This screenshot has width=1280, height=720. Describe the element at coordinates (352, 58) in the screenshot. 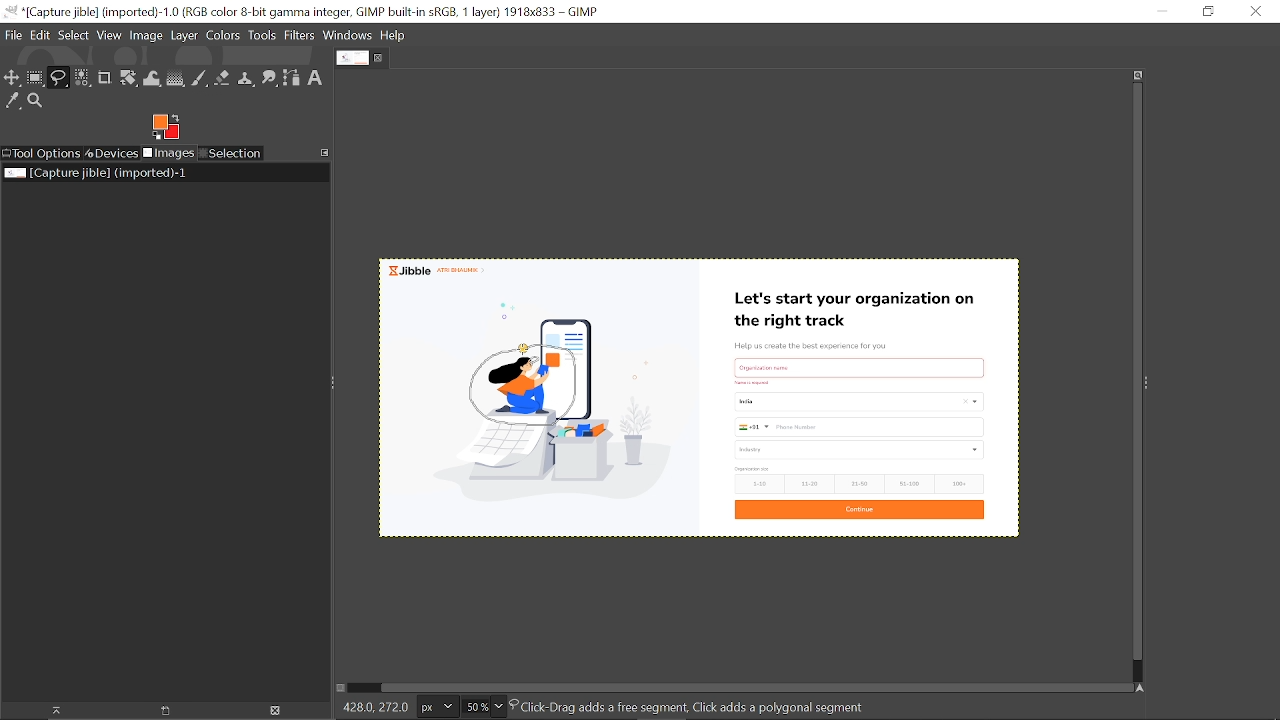

I see `Current tab` at that location.